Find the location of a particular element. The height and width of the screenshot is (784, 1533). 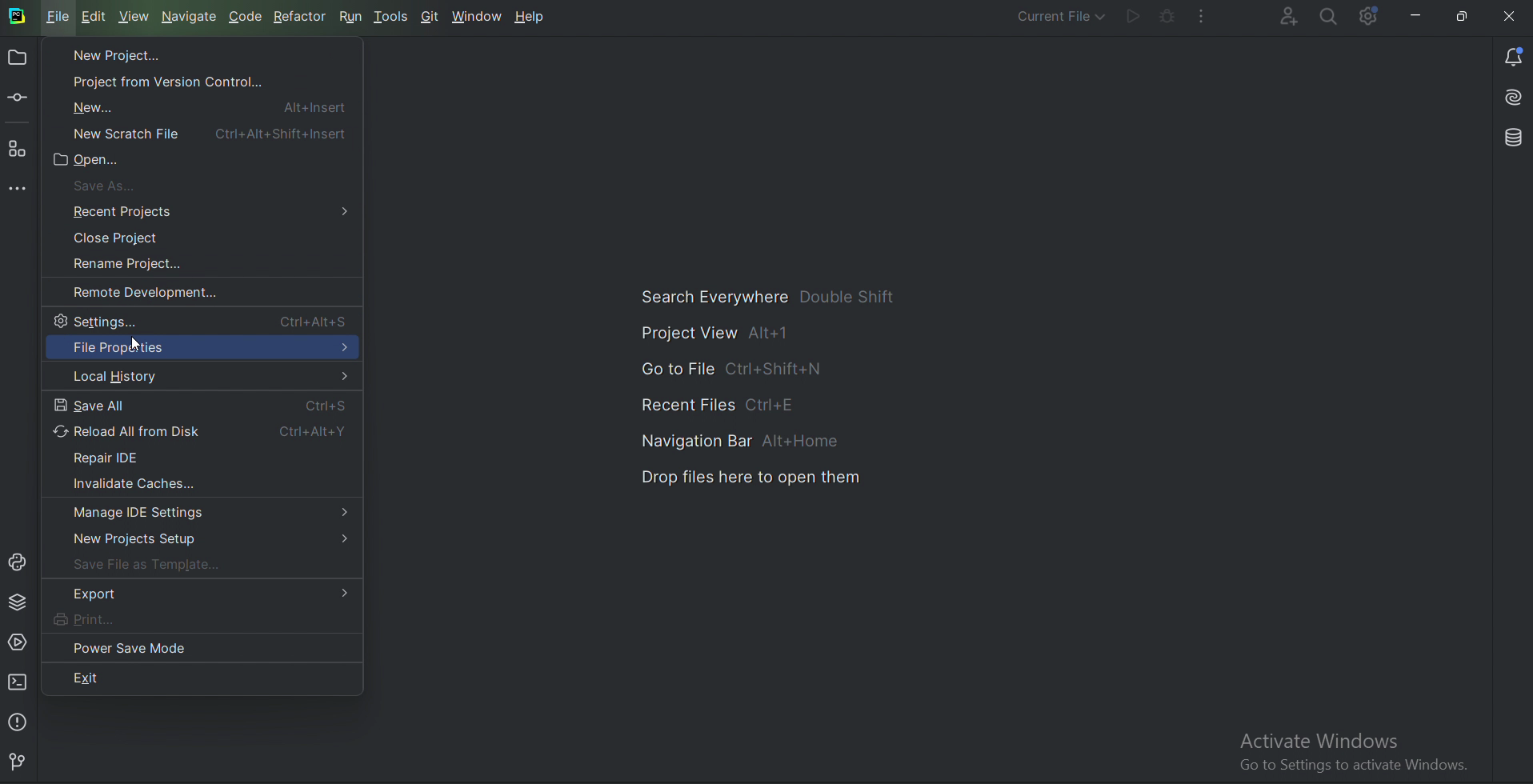

Power save mode is located at coordinates (133, 647).